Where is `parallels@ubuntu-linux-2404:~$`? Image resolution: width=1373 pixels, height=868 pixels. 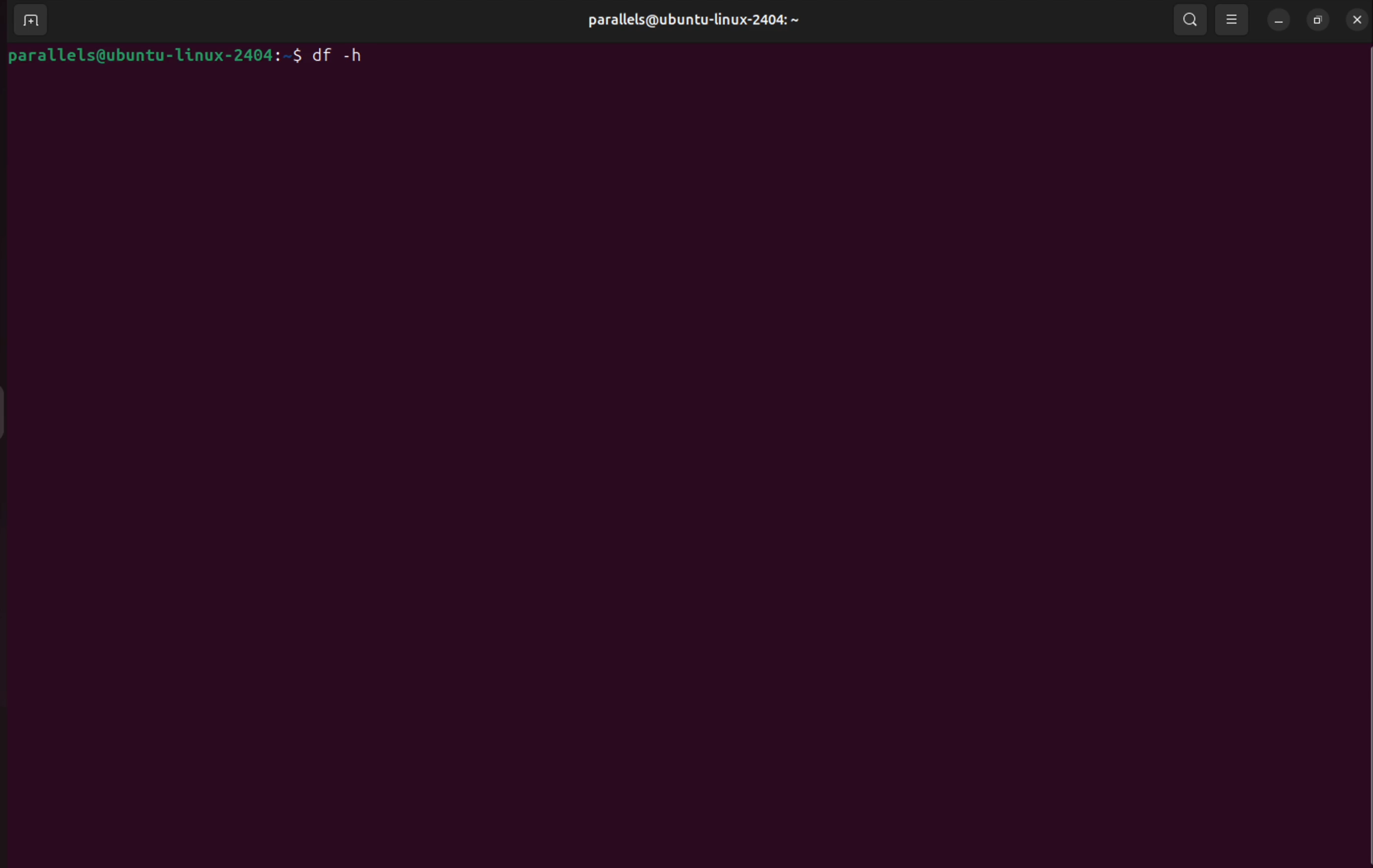 parallels@ubuntu-linux-2404:~$ is located at coordinates (156, 55).